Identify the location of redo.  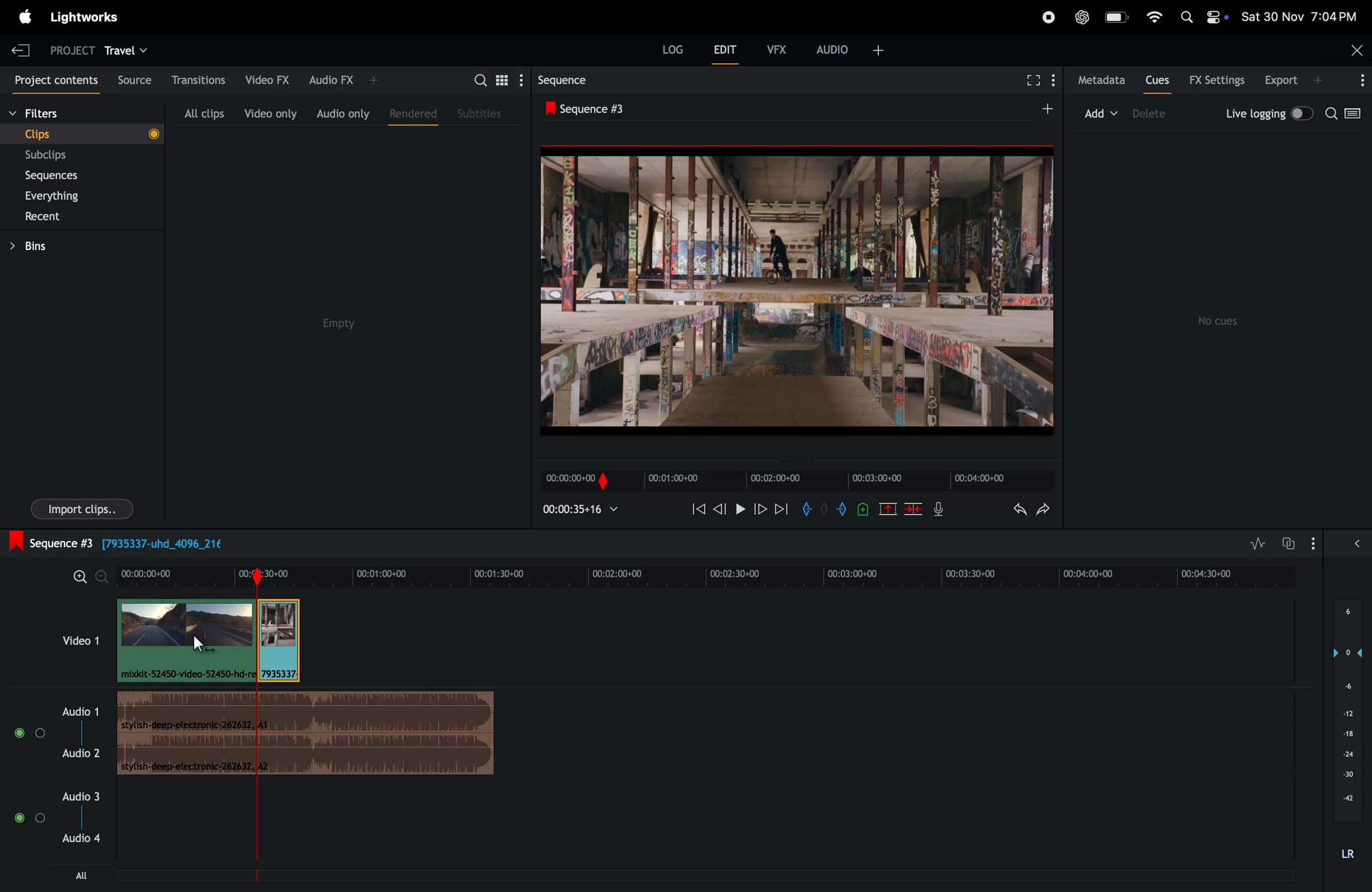
(1047, 508).